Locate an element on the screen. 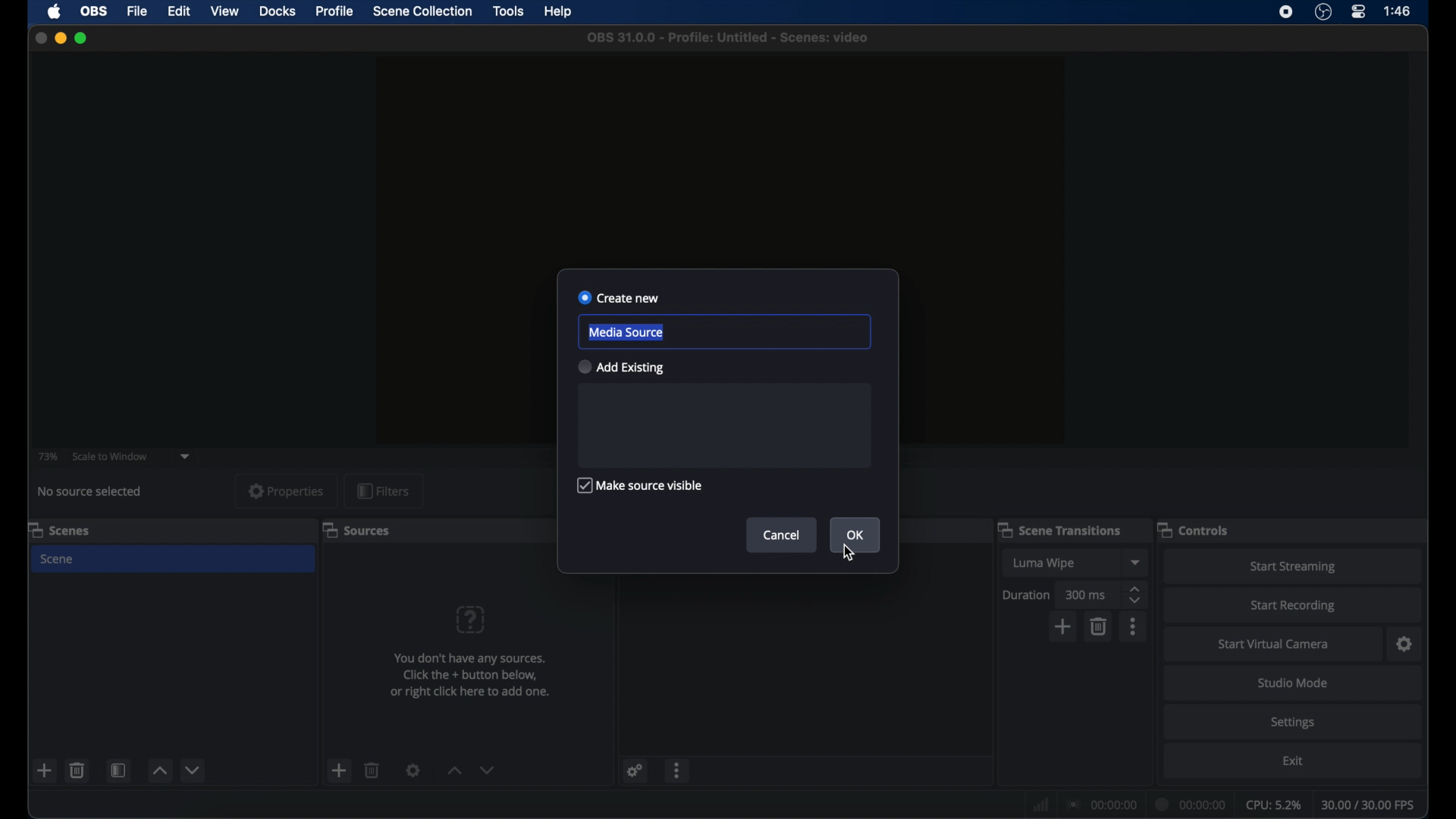  scenes is located at coordinates (58, 531).